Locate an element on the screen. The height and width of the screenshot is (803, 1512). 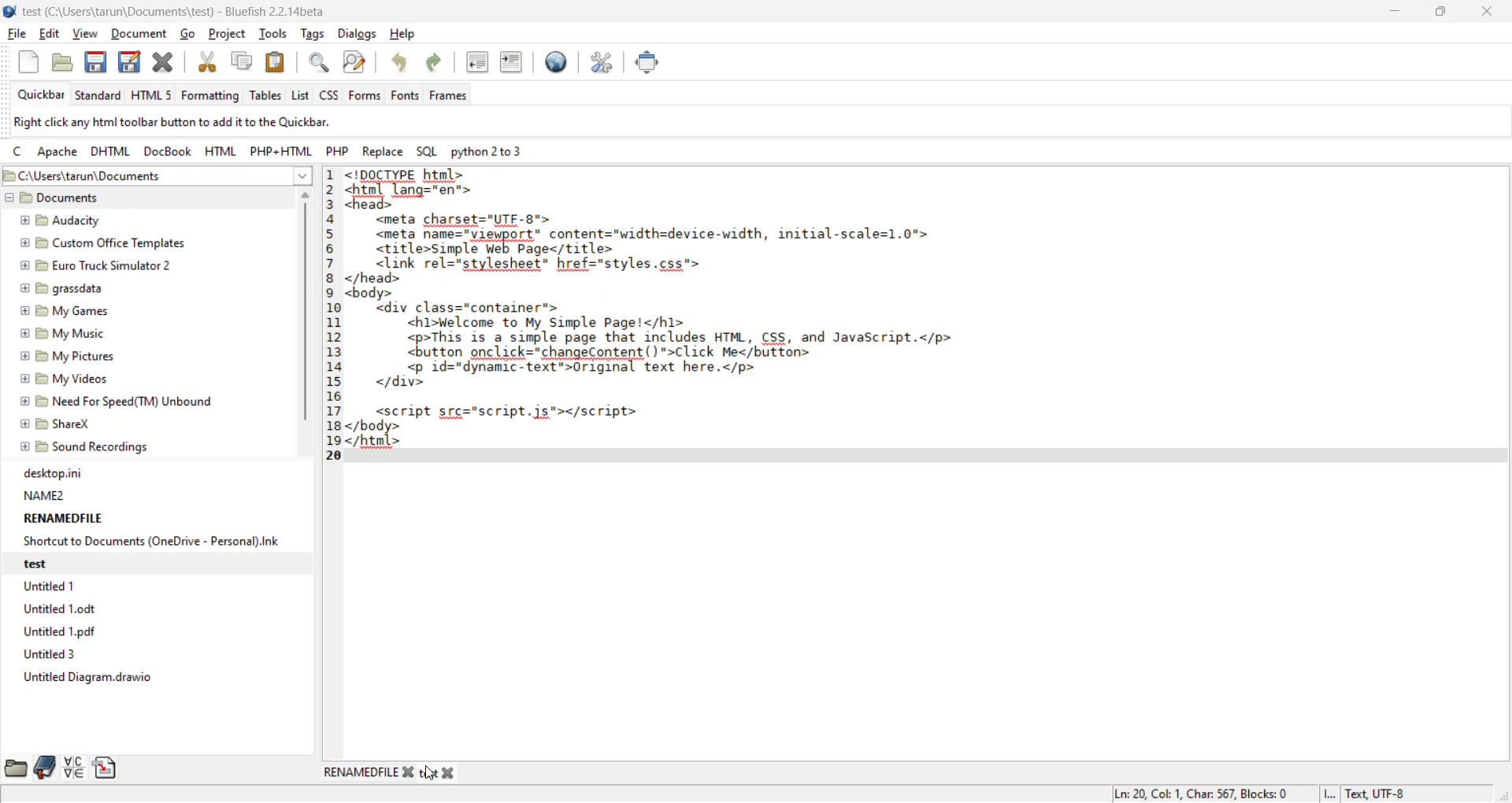
file browser is located at coordinates (17, 770).